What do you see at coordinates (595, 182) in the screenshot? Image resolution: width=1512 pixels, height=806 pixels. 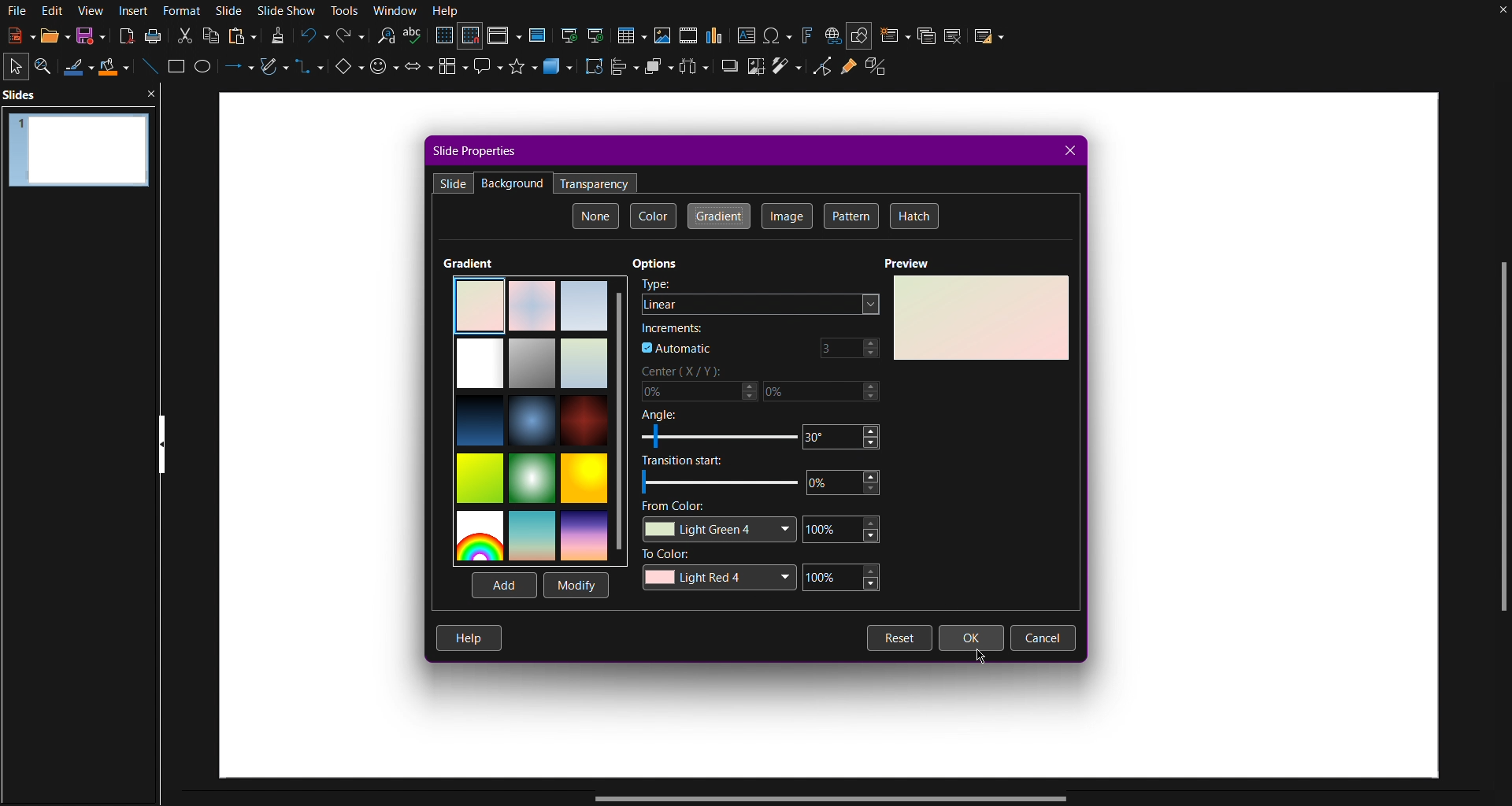 I see `Transparency` at bounding box center [595, 182].